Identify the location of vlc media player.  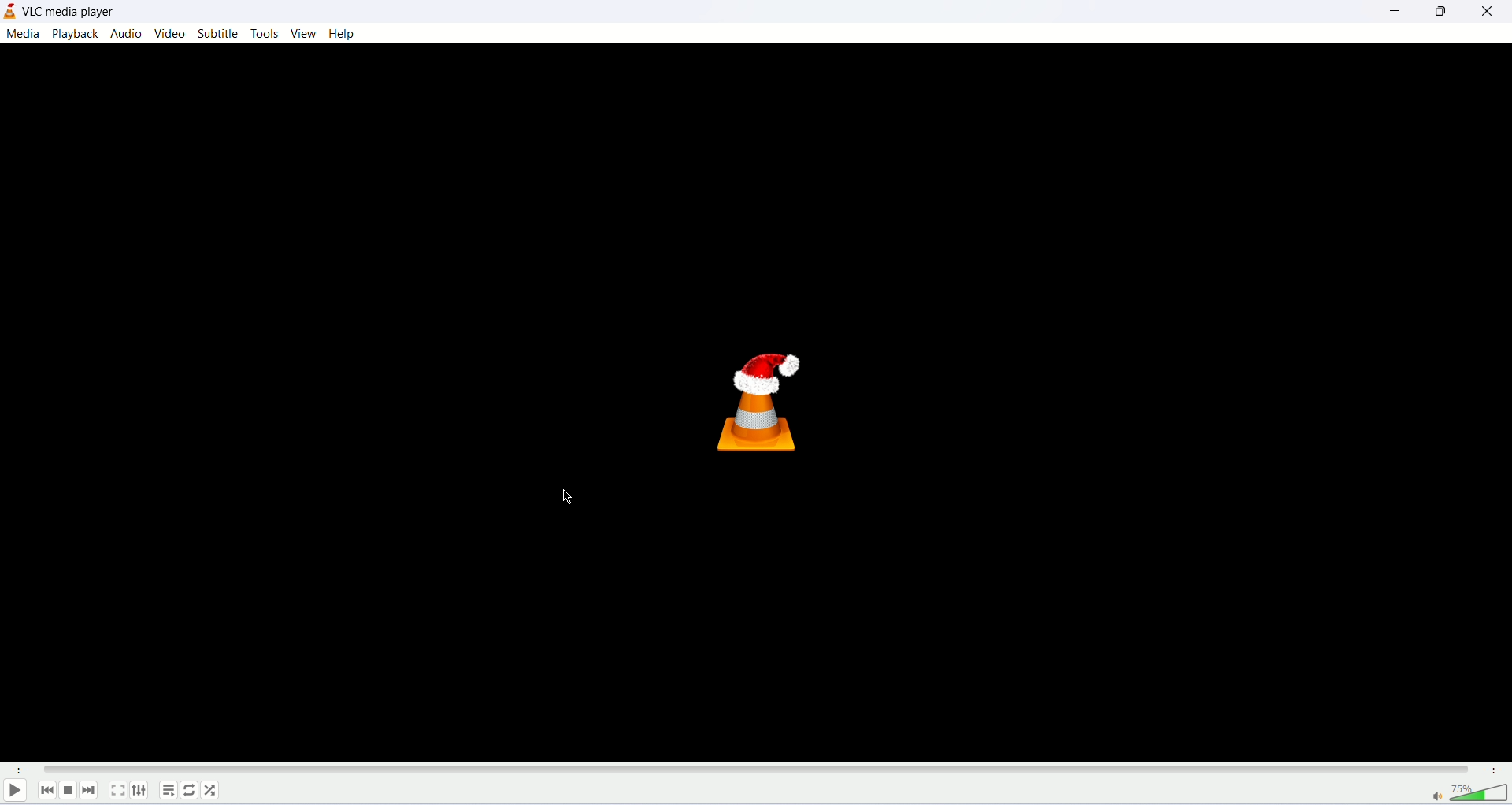
(73, 12).